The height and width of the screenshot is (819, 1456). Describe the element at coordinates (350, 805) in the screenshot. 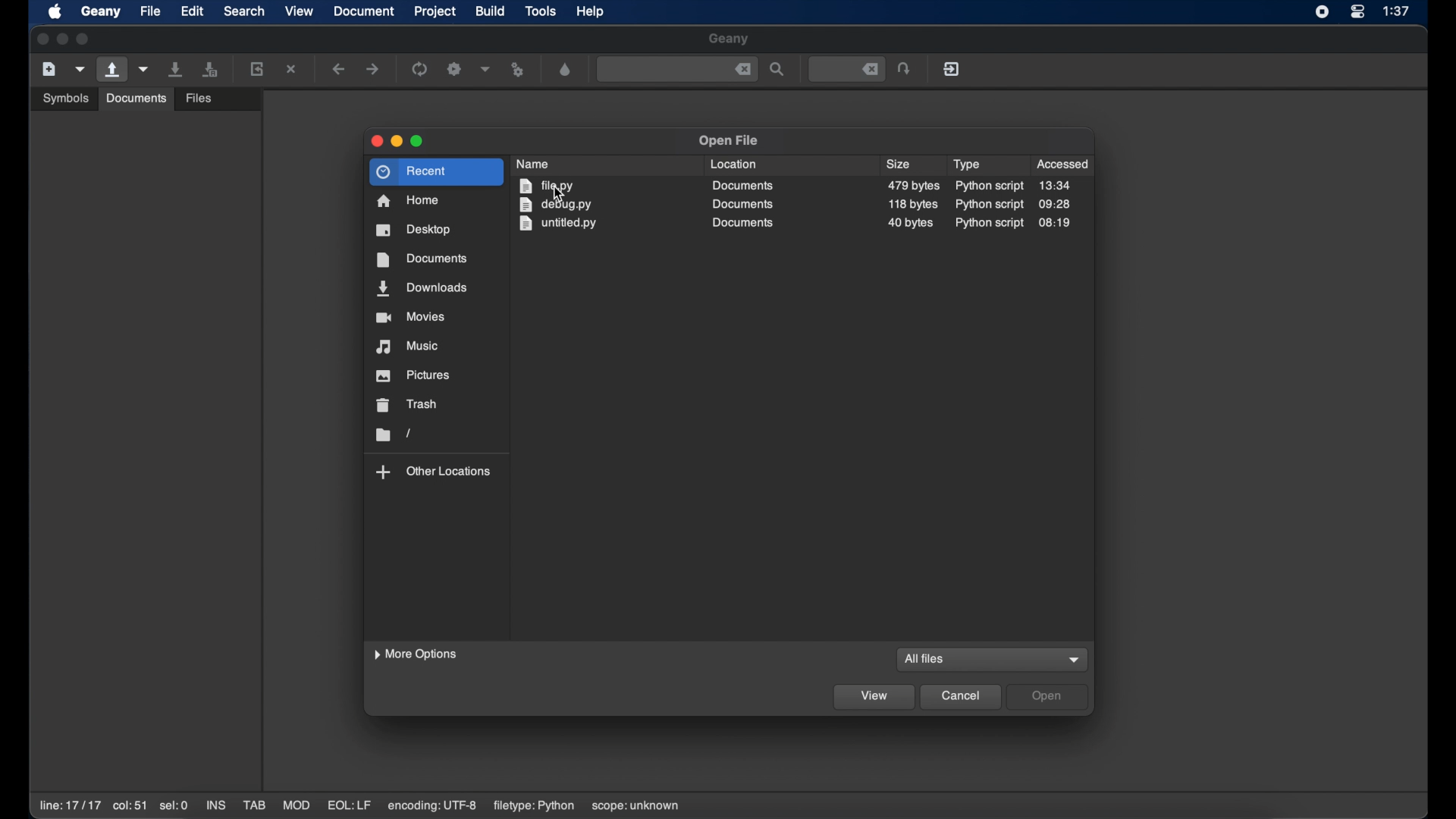

I see `eql: lf` at that location.